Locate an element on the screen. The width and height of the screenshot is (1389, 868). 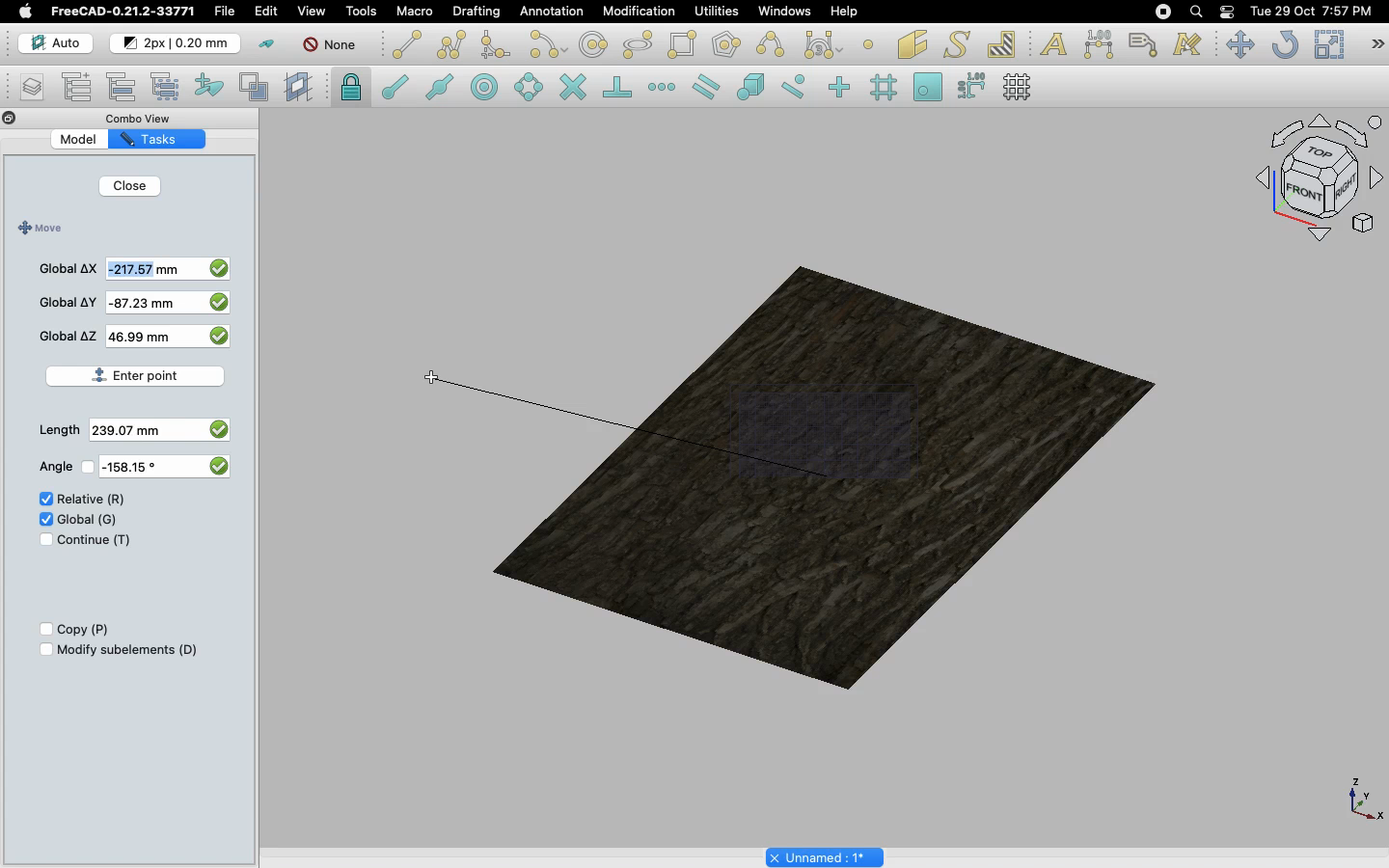
Snap angle is located at coordinates (530, 89).